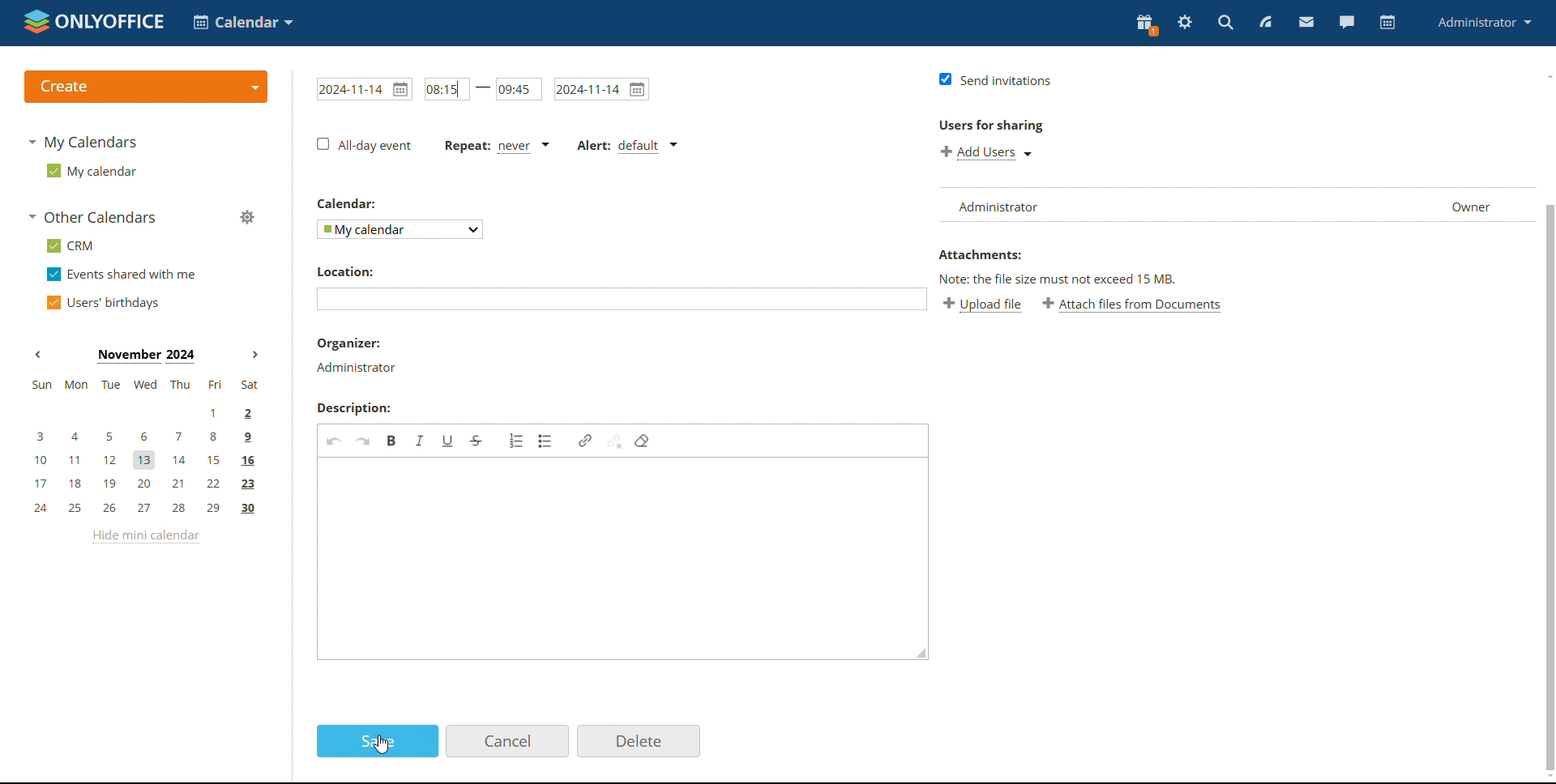 Image resolution: width=1556 pixels, height=784 pixels. What do you see at coordinates (990, 126) in the screenshot?
I see `users for sharing` at bounding box center [990, 126].